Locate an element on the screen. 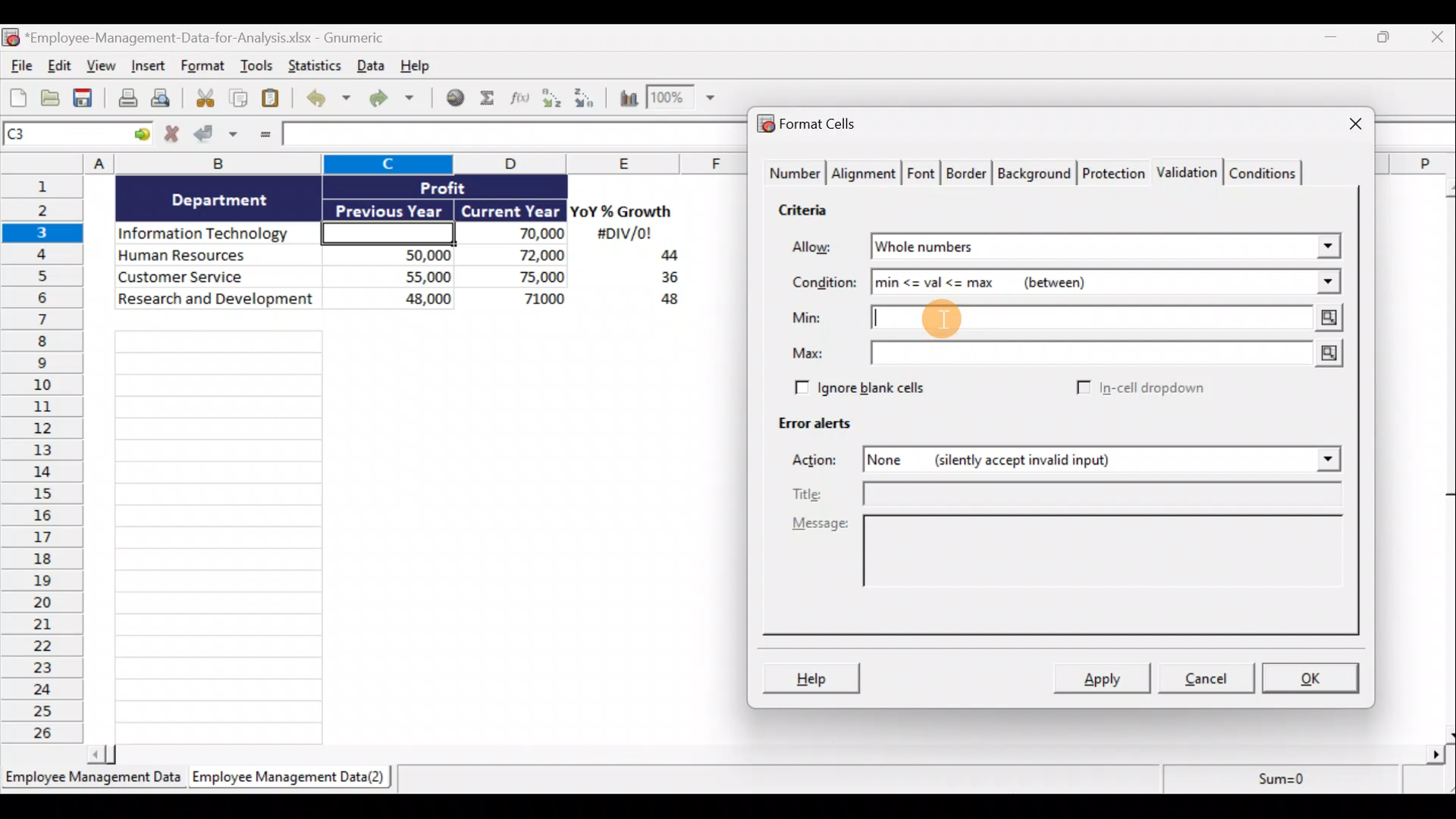  72,000 is located at coordinates (518, 256).